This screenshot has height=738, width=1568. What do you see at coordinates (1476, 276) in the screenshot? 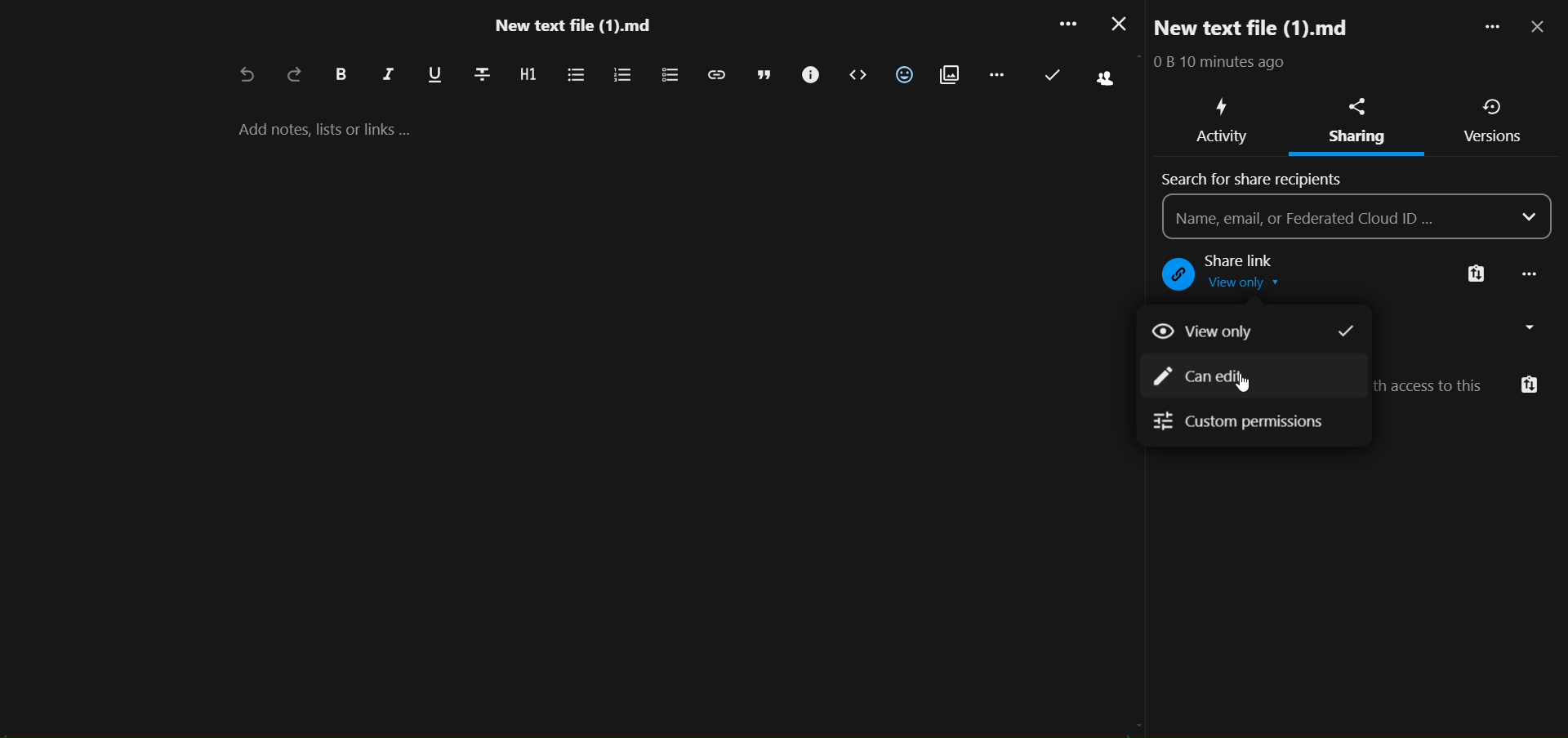
I see `copy link` at bounding box center [1476, 276].